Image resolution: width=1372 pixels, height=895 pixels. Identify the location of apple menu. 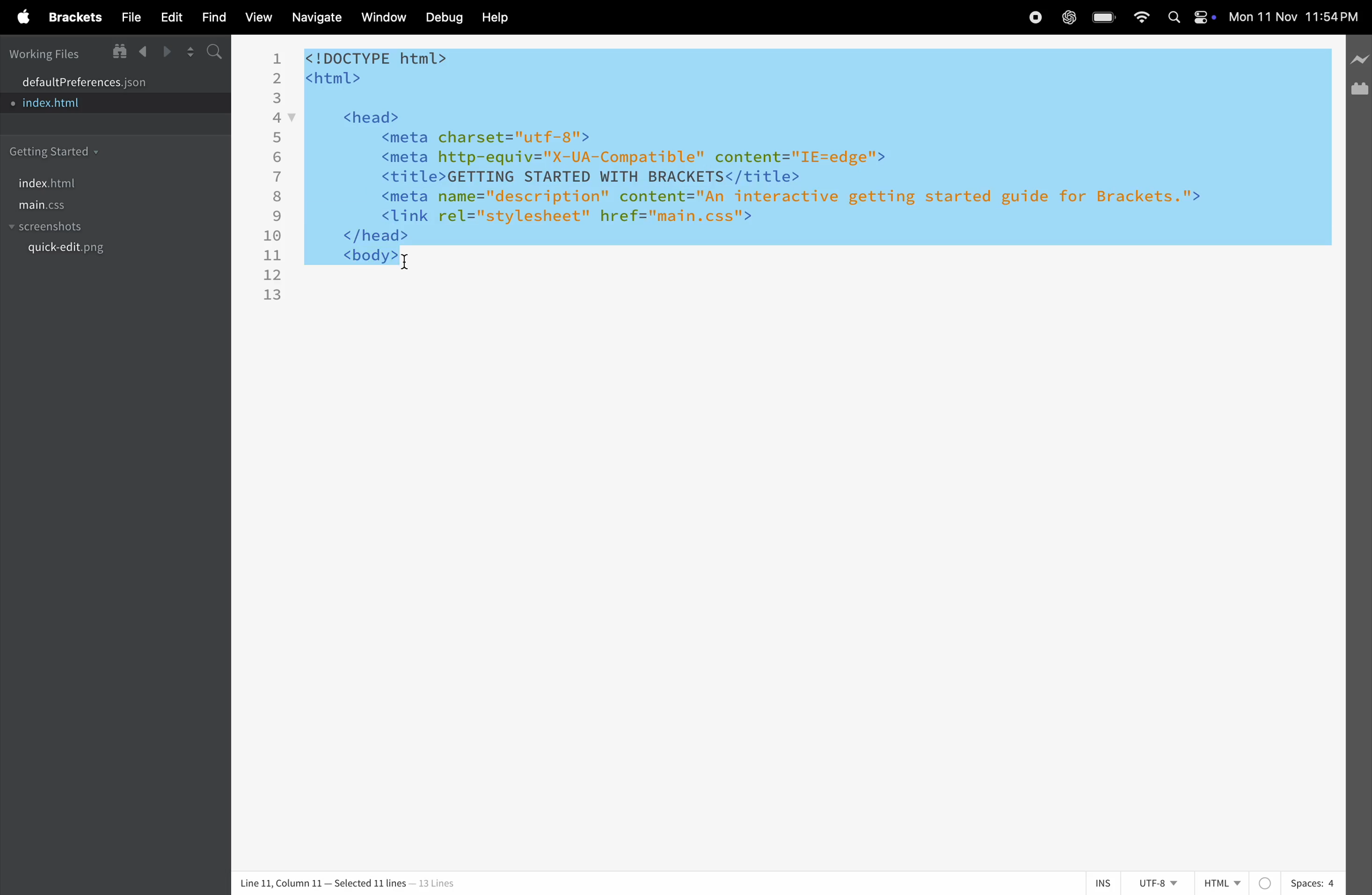
(20, 17).